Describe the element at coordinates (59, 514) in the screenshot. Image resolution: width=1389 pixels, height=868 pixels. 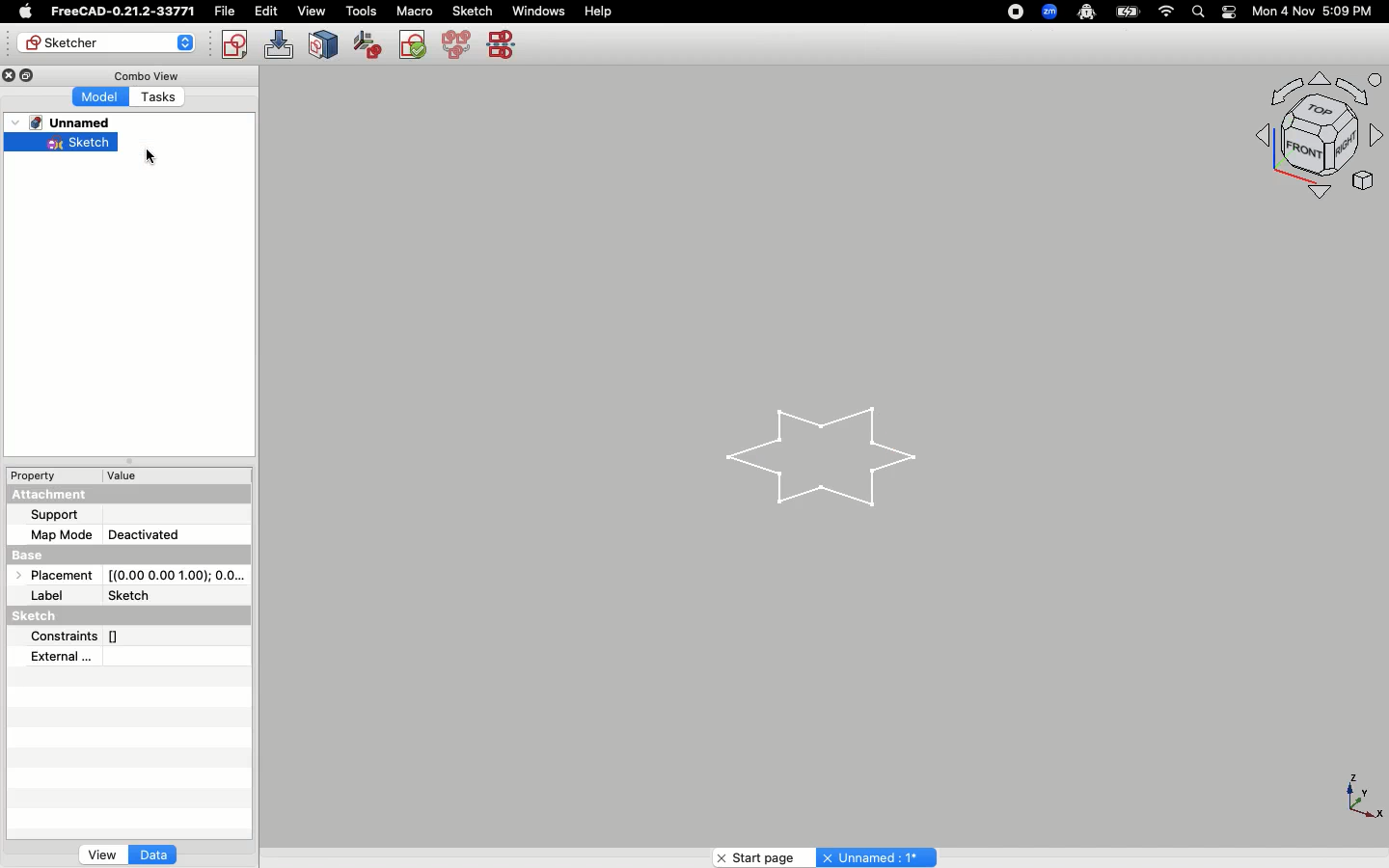
I see `Support` at that location.